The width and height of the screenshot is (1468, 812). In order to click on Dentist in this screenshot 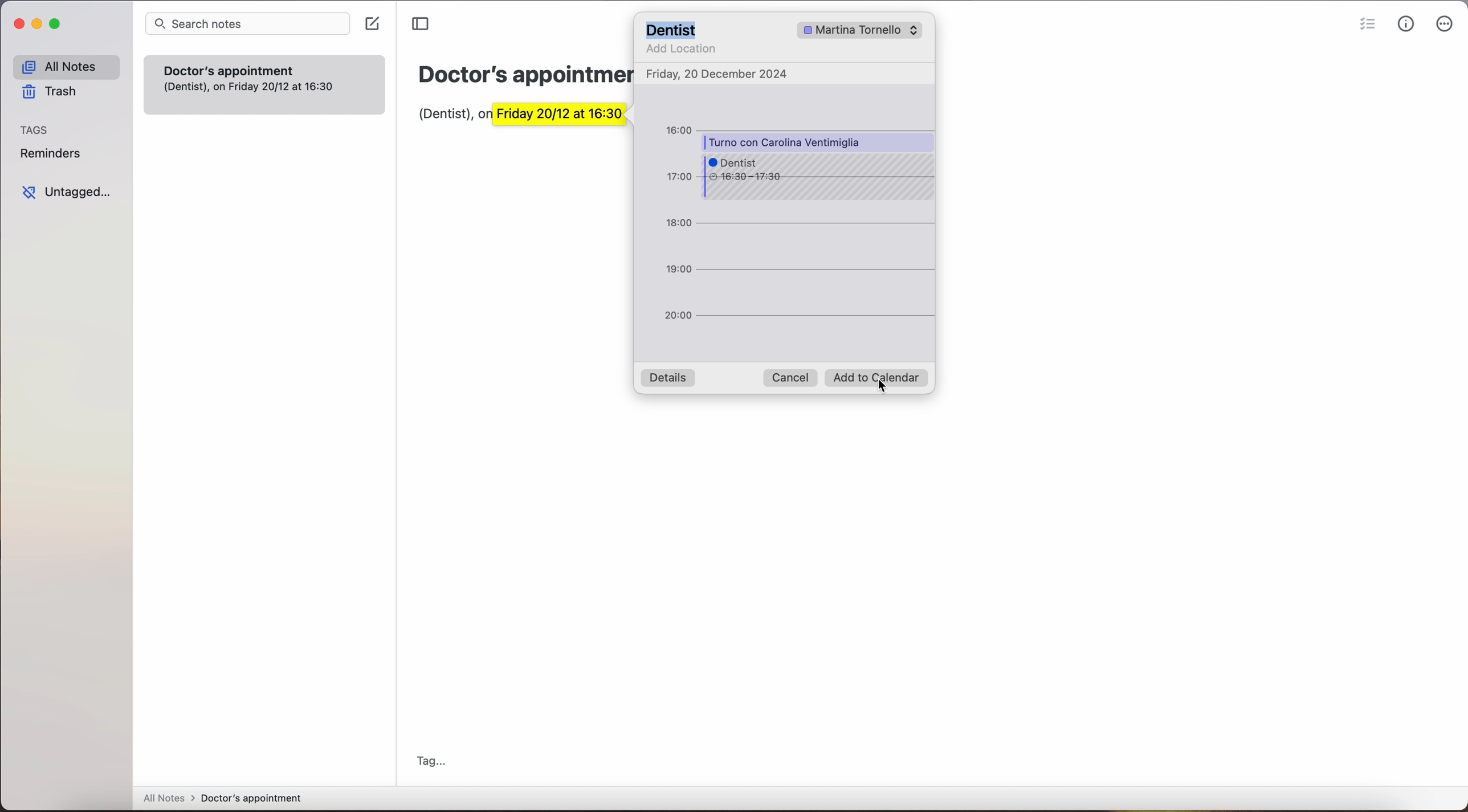, I will do `click(674, 29)`.